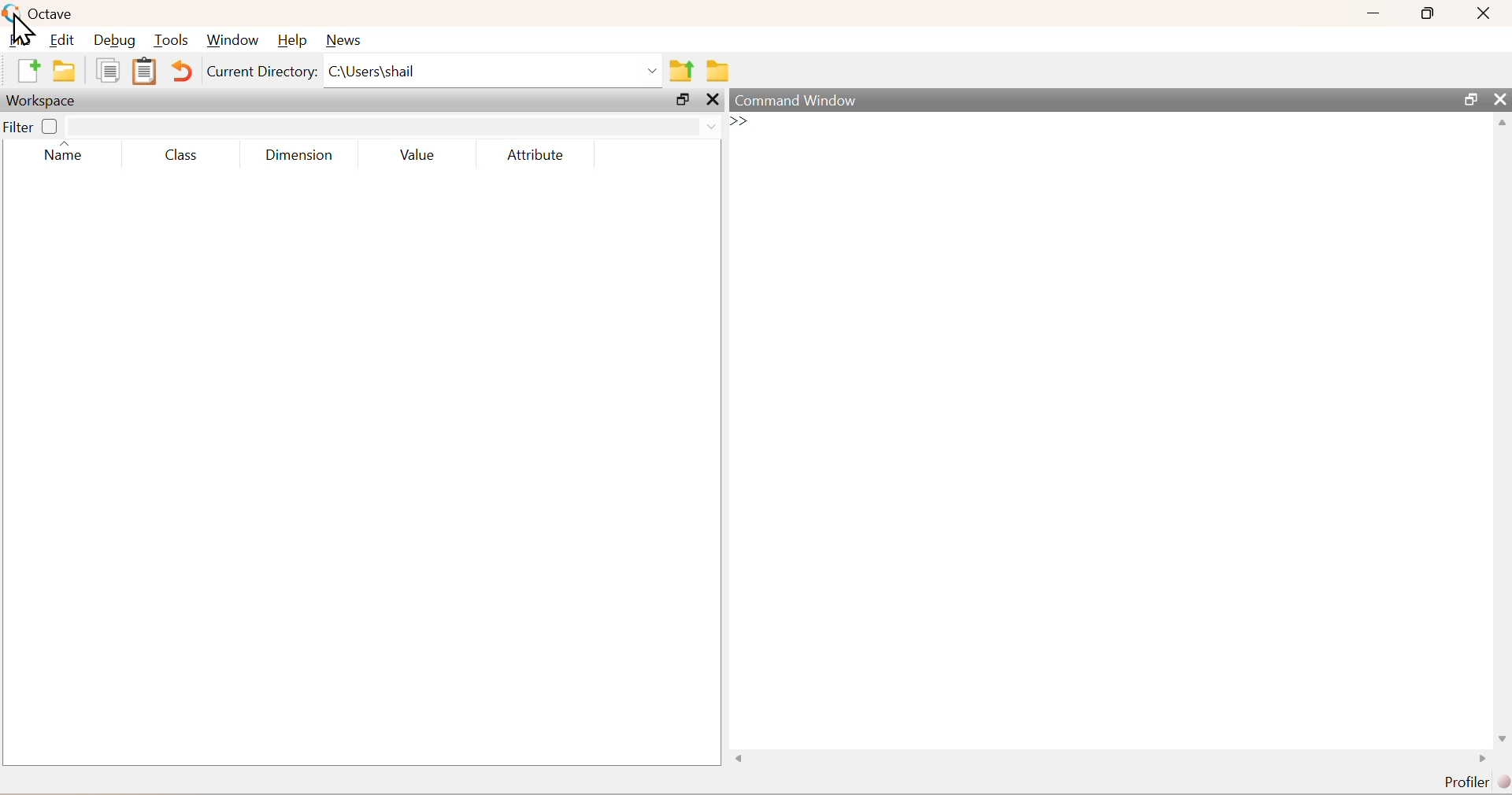 This screenshot has width=1512, height=795. I want to click on C:\Users|shail, so click(491, 70).